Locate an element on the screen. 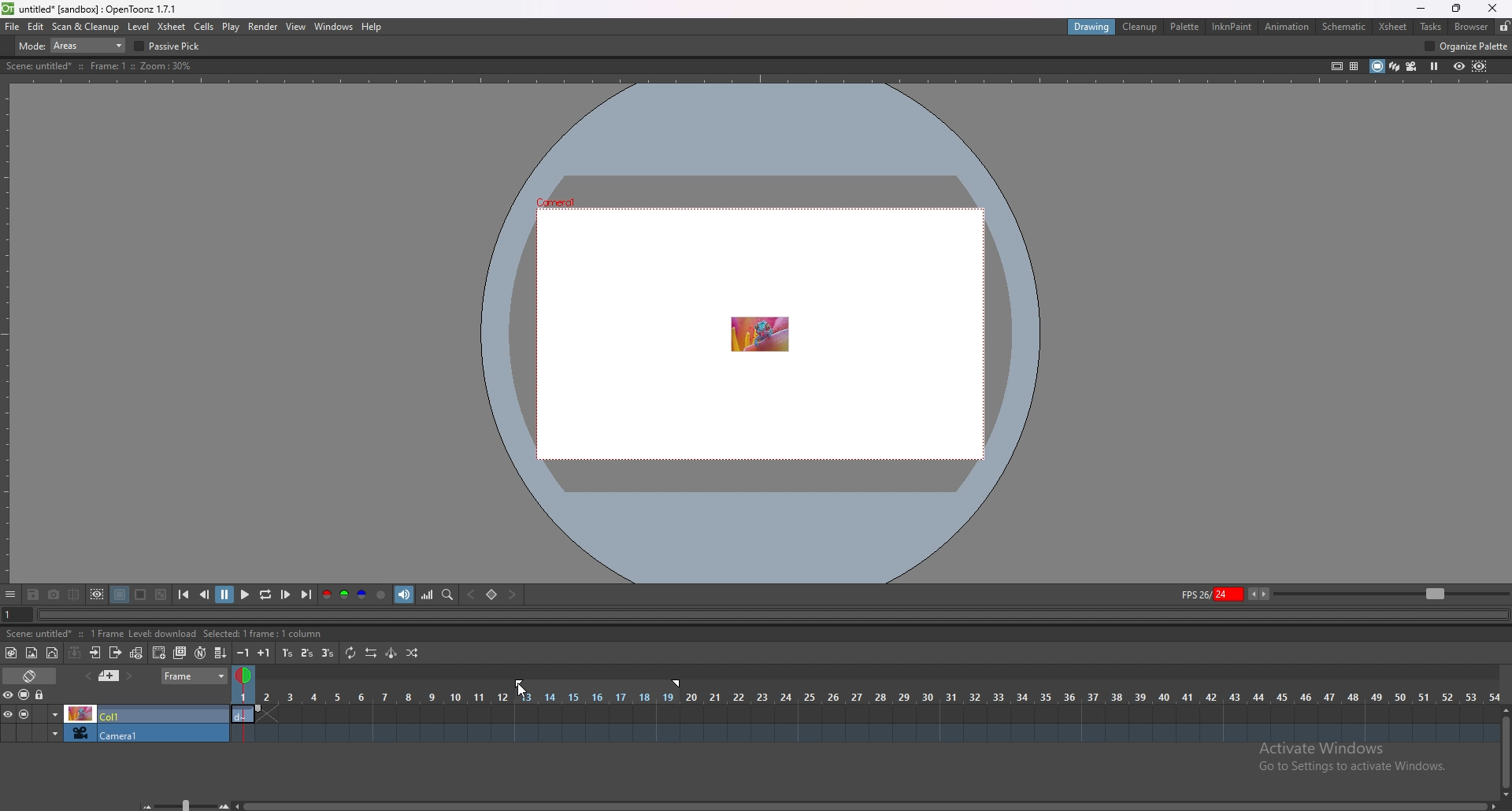 The width and height of the screenshot is (1512, 811). camera stand view is located at coordinates (1376, 66).